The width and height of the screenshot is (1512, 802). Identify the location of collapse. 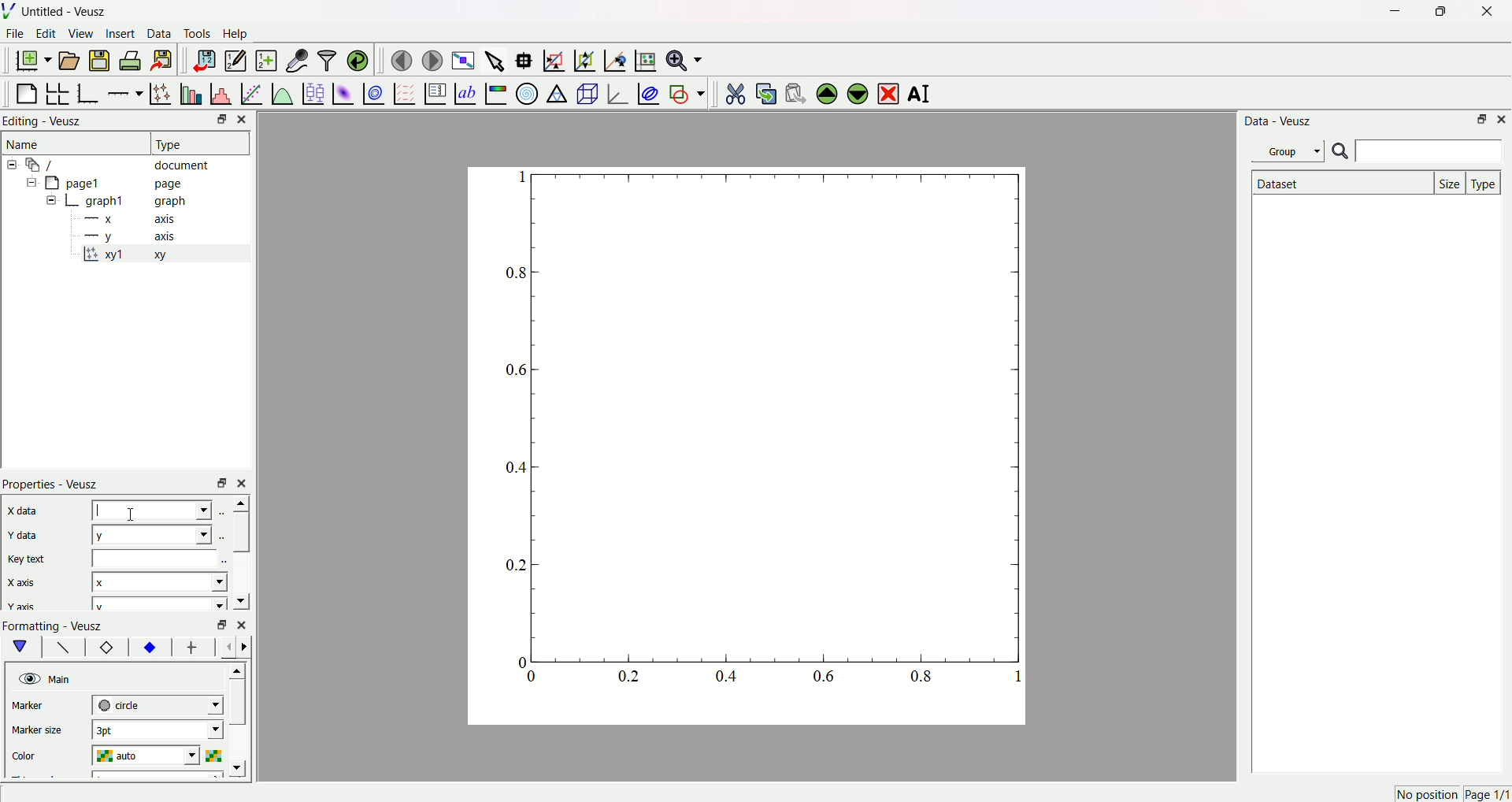
(14, 165).